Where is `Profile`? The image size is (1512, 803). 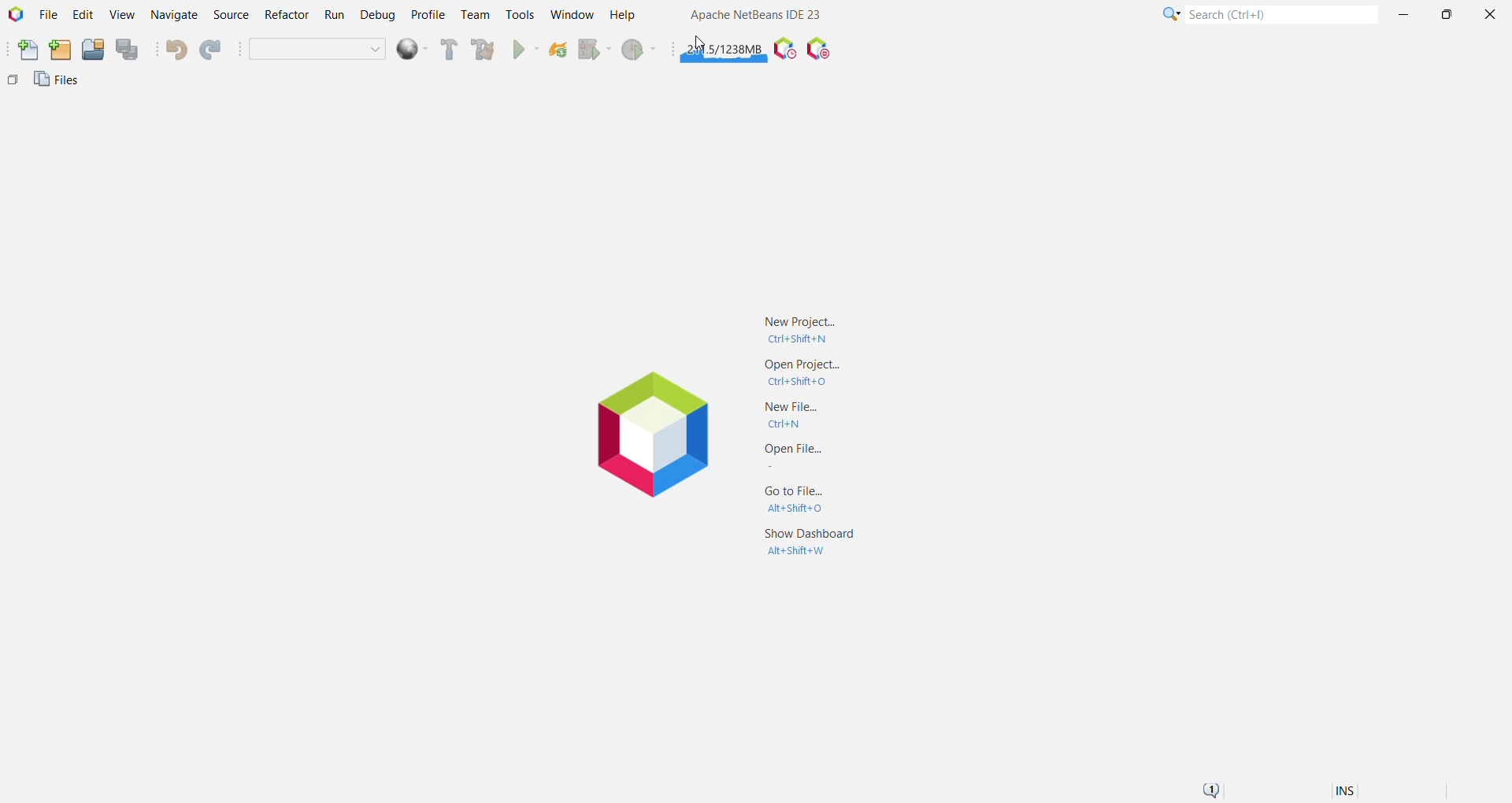 Profile is located at coordinates (428, 14).